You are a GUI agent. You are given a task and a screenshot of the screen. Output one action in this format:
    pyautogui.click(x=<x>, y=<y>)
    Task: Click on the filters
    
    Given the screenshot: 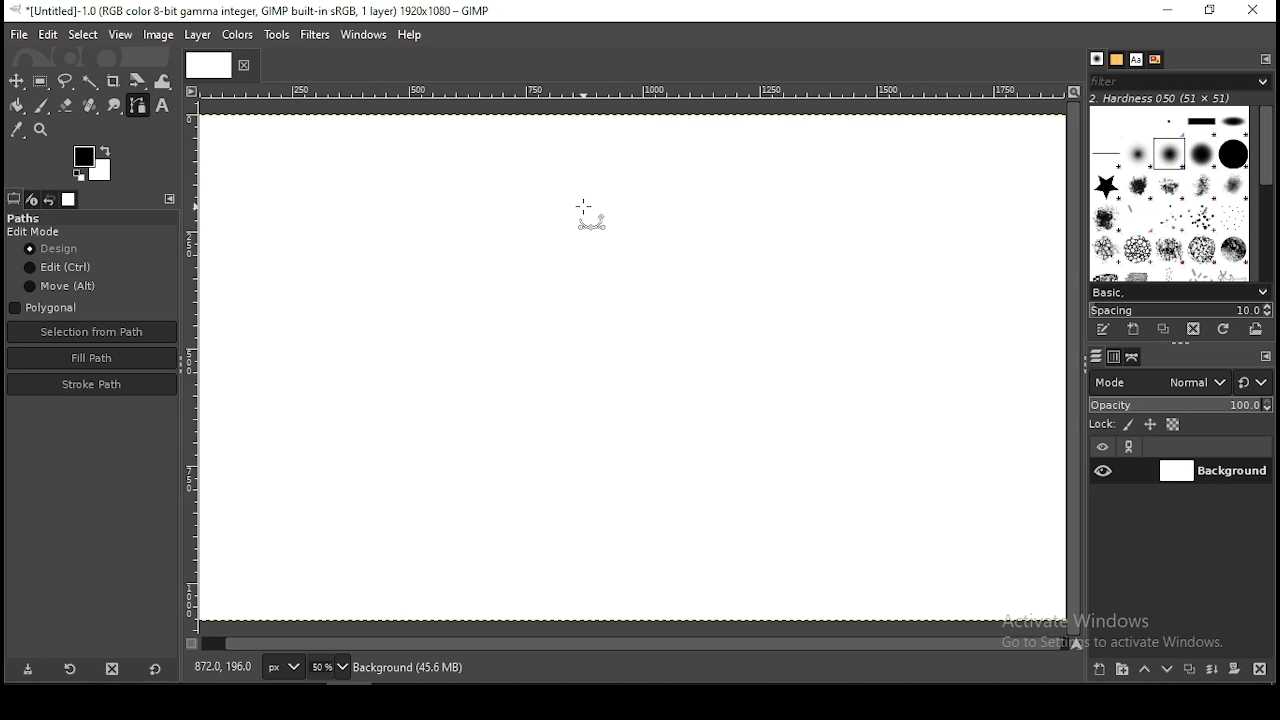 What is the action you would take?
    pyautogui.click(x=314, y=34)
    